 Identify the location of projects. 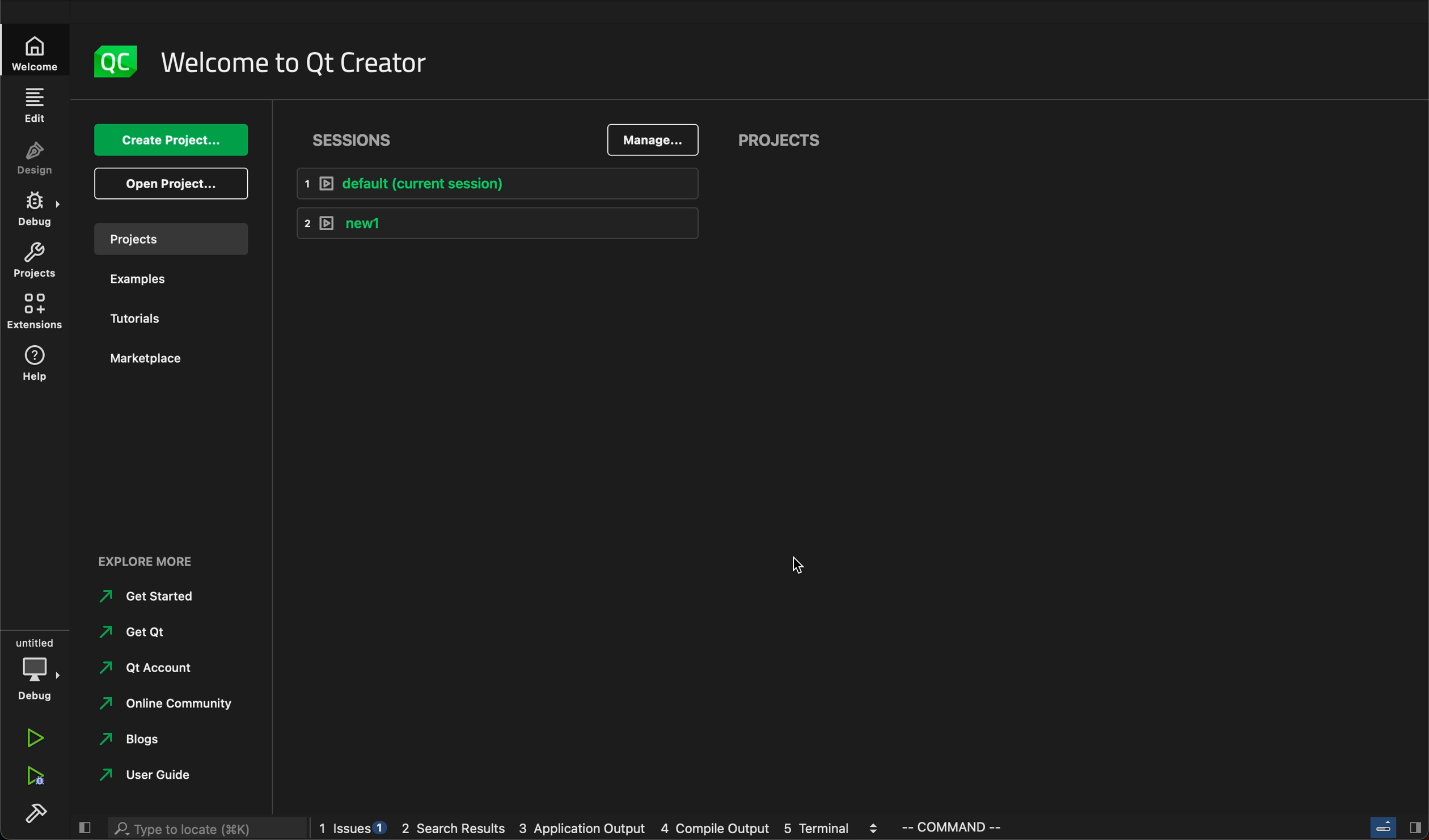
(169, 239).